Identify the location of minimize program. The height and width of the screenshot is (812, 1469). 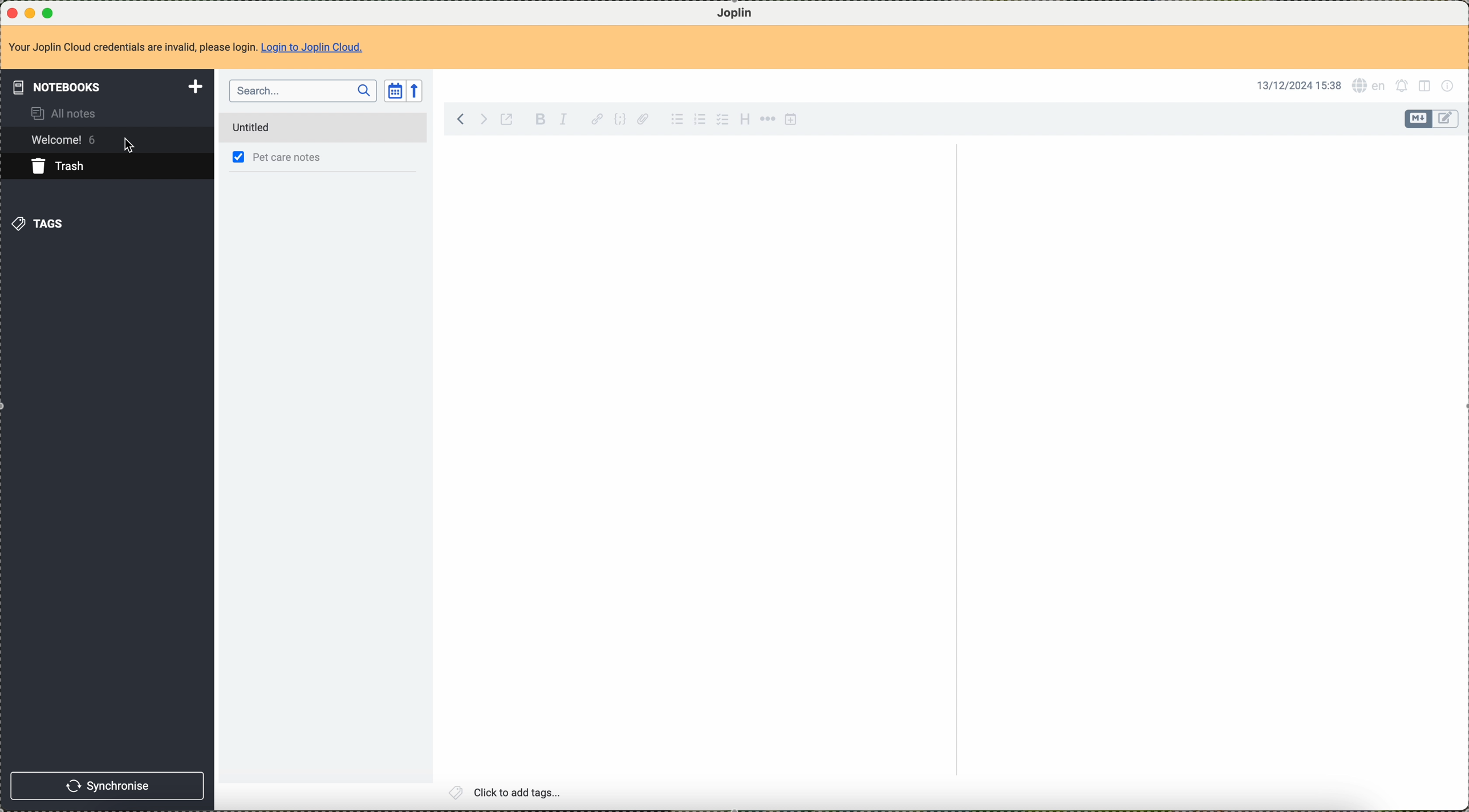
(30, 11).